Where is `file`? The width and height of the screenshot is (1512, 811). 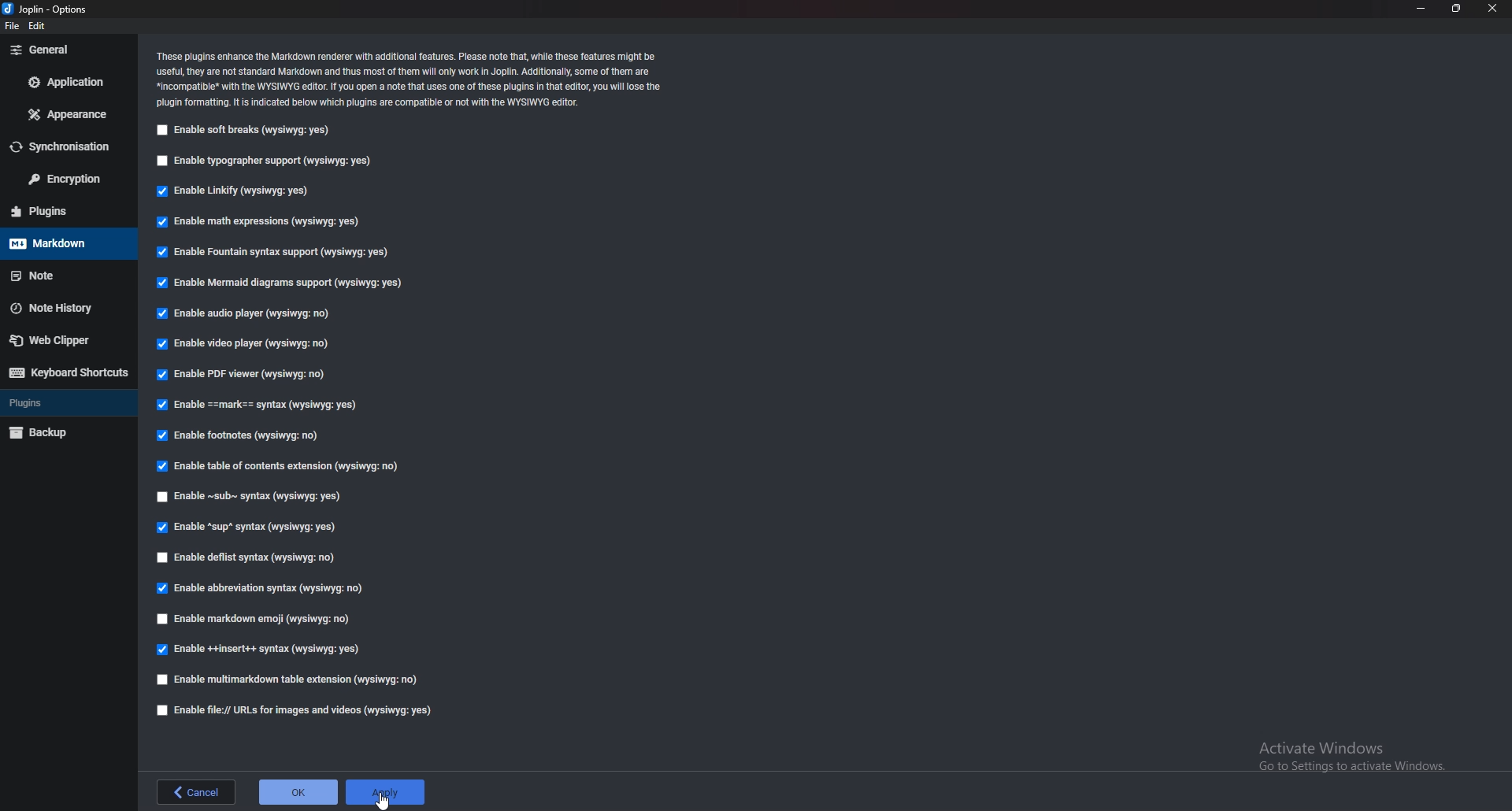
file is located at coordinates (13, 26).